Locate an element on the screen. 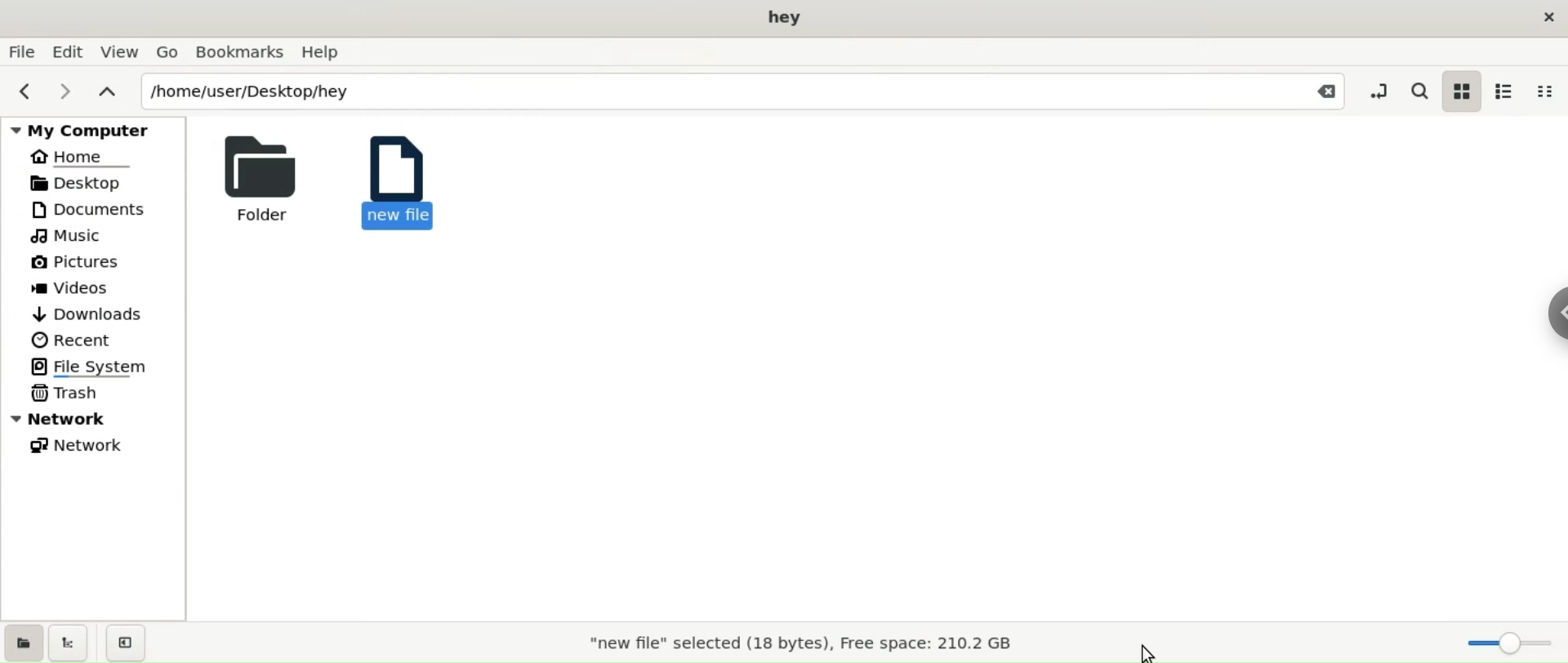 The image size is (1568, 663). Downloads is located at coordinates (87, 314).